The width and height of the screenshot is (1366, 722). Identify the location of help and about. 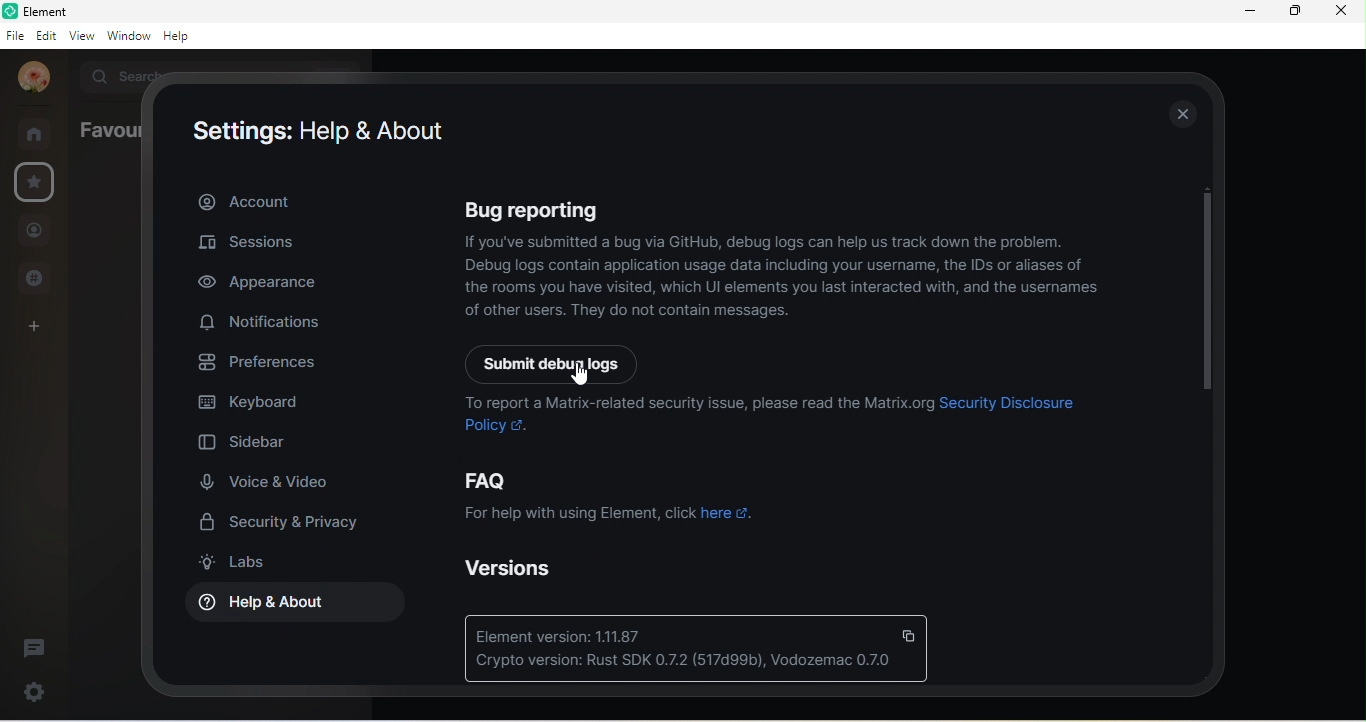
(289, 607).